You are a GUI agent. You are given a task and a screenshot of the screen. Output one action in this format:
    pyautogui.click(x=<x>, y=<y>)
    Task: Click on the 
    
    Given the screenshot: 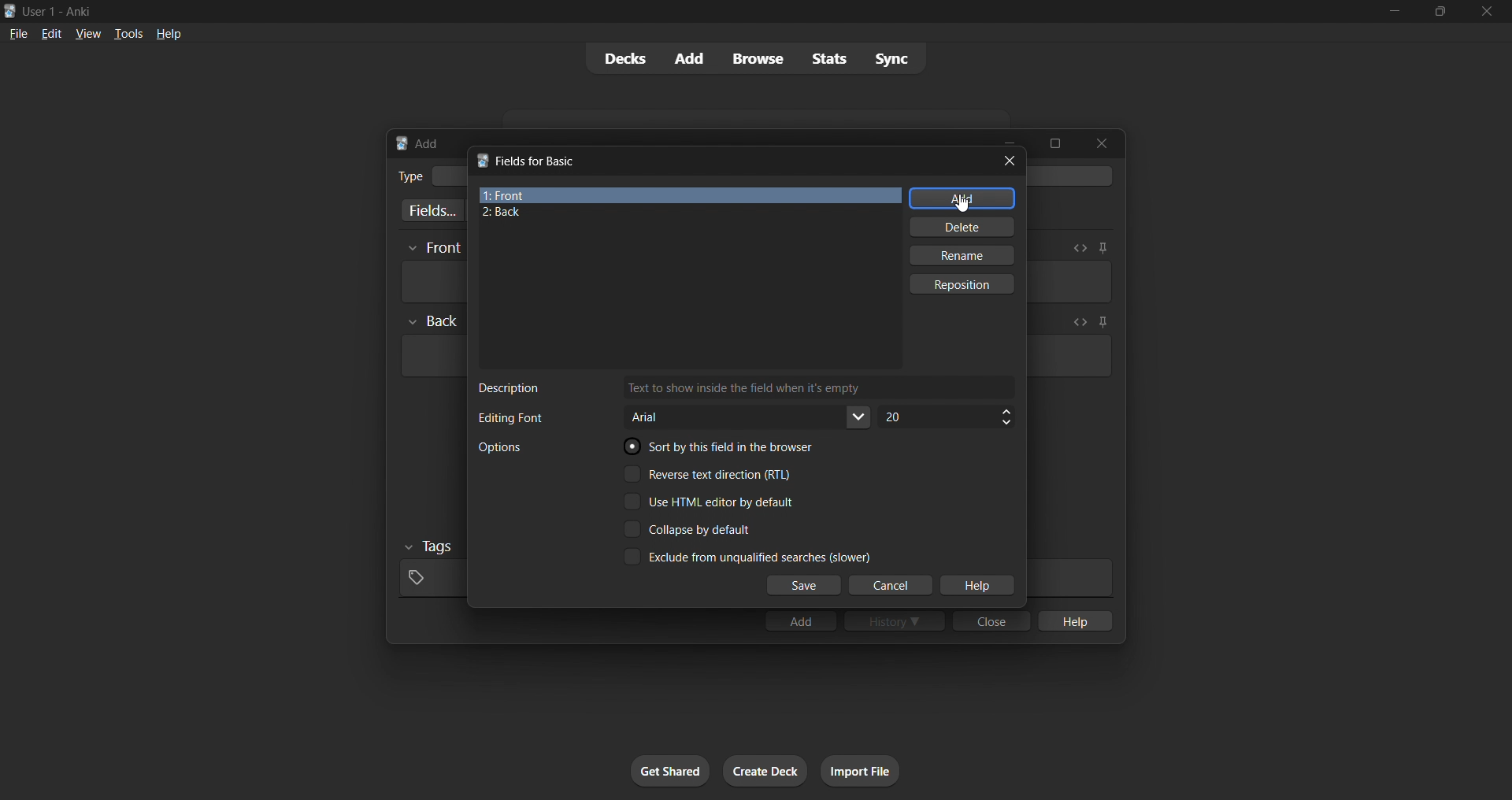 What is the action you would take?
    pyautogui.click(x=434, y=249)
    